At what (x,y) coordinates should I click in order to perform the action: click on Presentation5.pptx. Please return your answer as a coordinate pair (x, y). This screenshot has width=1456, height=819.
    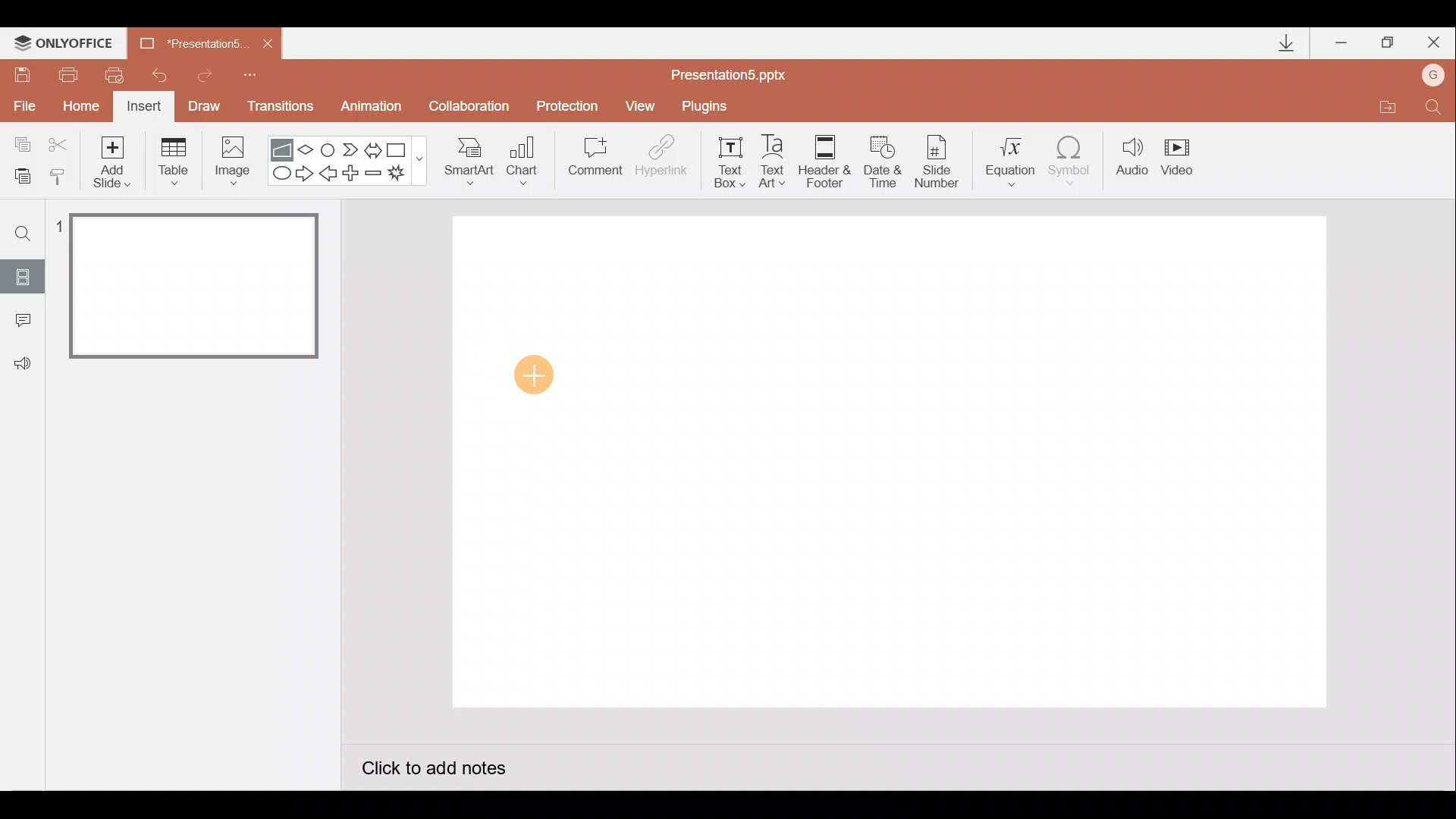
    Looking at the image, I should click on (739, 71).